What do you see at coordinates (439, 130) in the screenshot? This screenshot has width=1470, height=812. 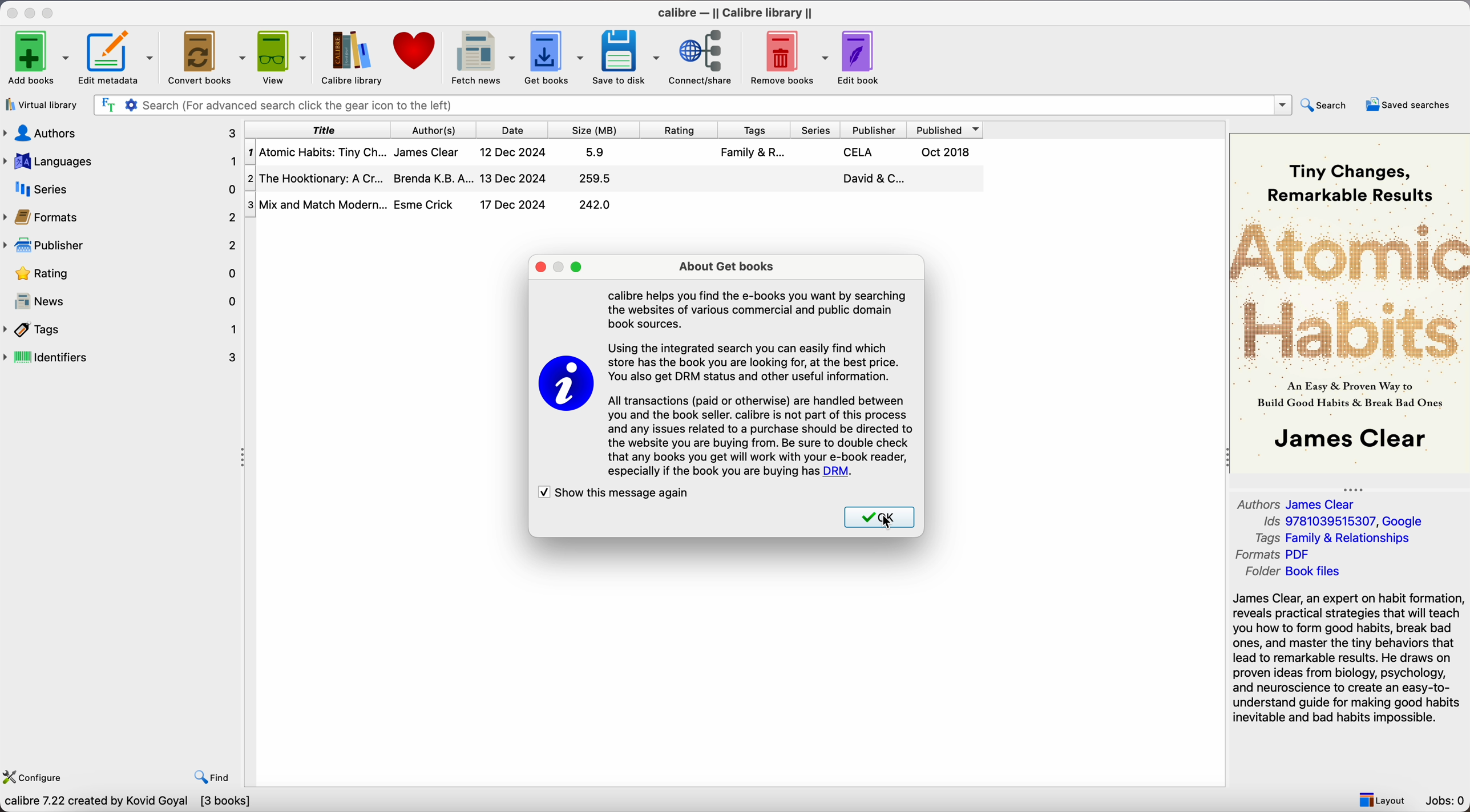 I see `authors` at bounding box center [439, 130].